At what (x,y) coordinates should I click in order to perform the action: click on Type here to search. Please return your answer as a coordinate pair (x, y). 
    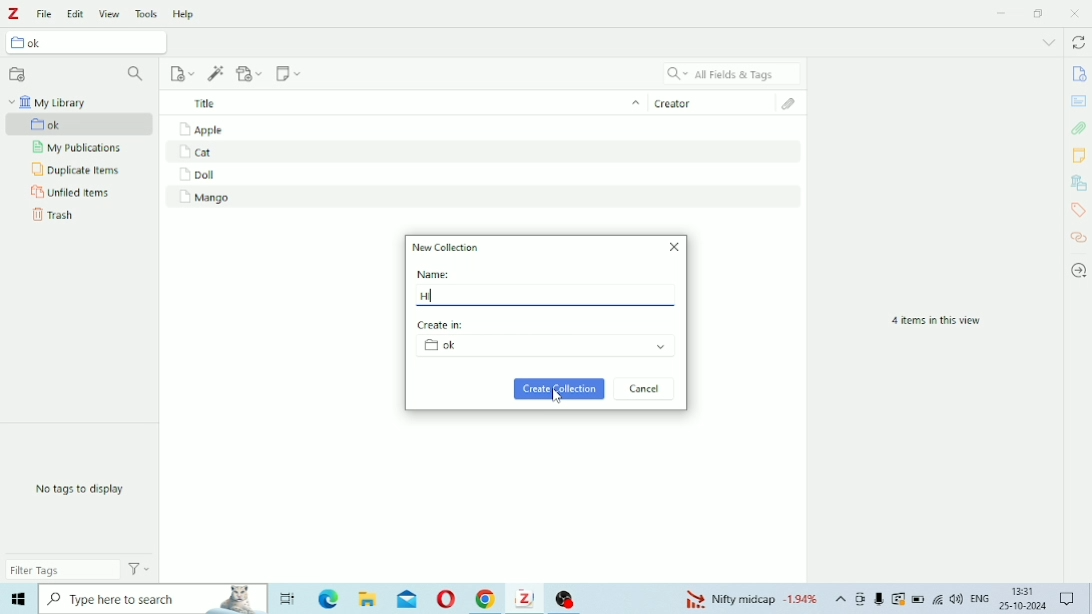
    Looking at the image, I should click on (154, 599).